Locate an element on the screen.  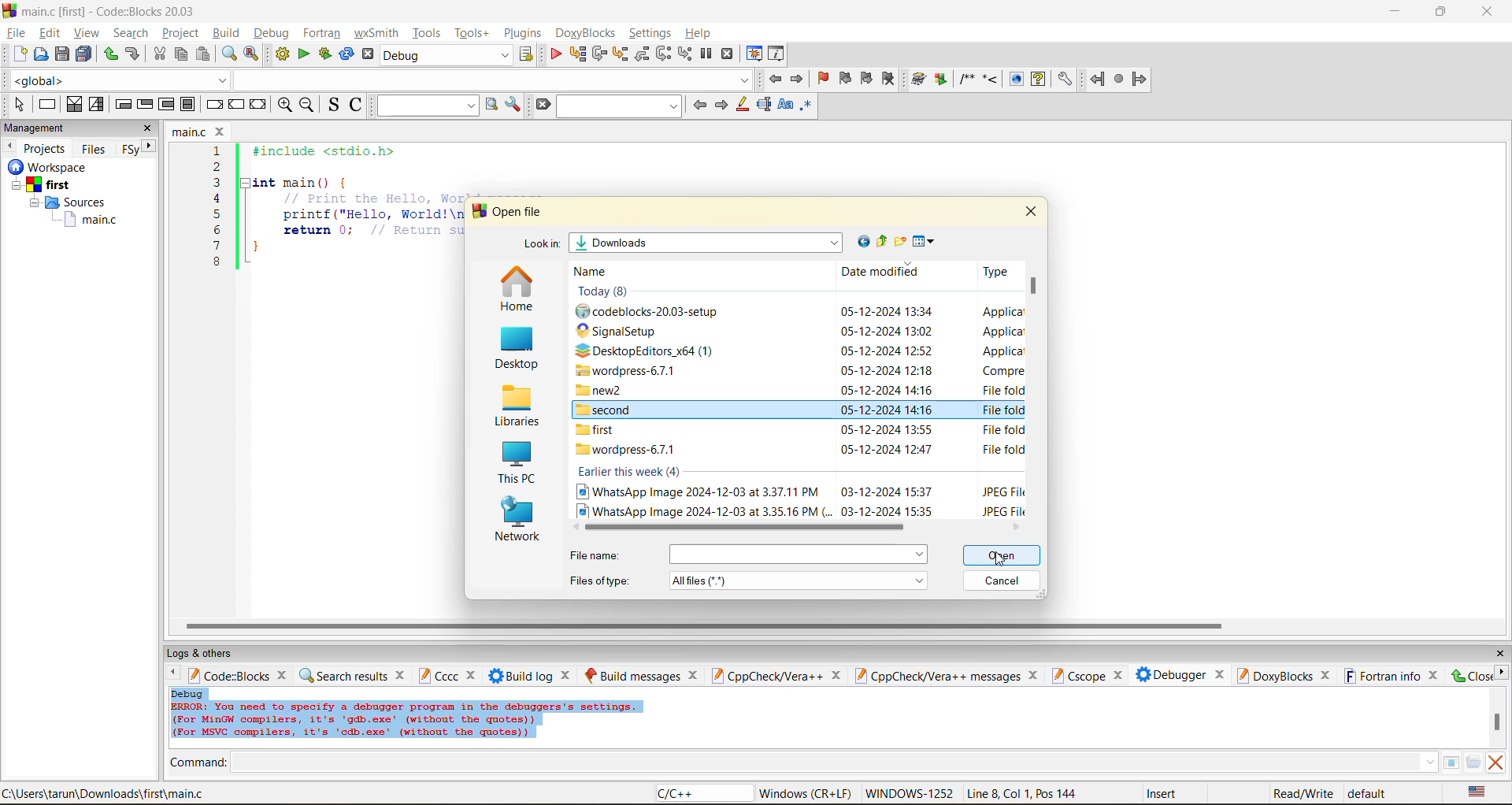
show options window is located at coordinates (513, 105).